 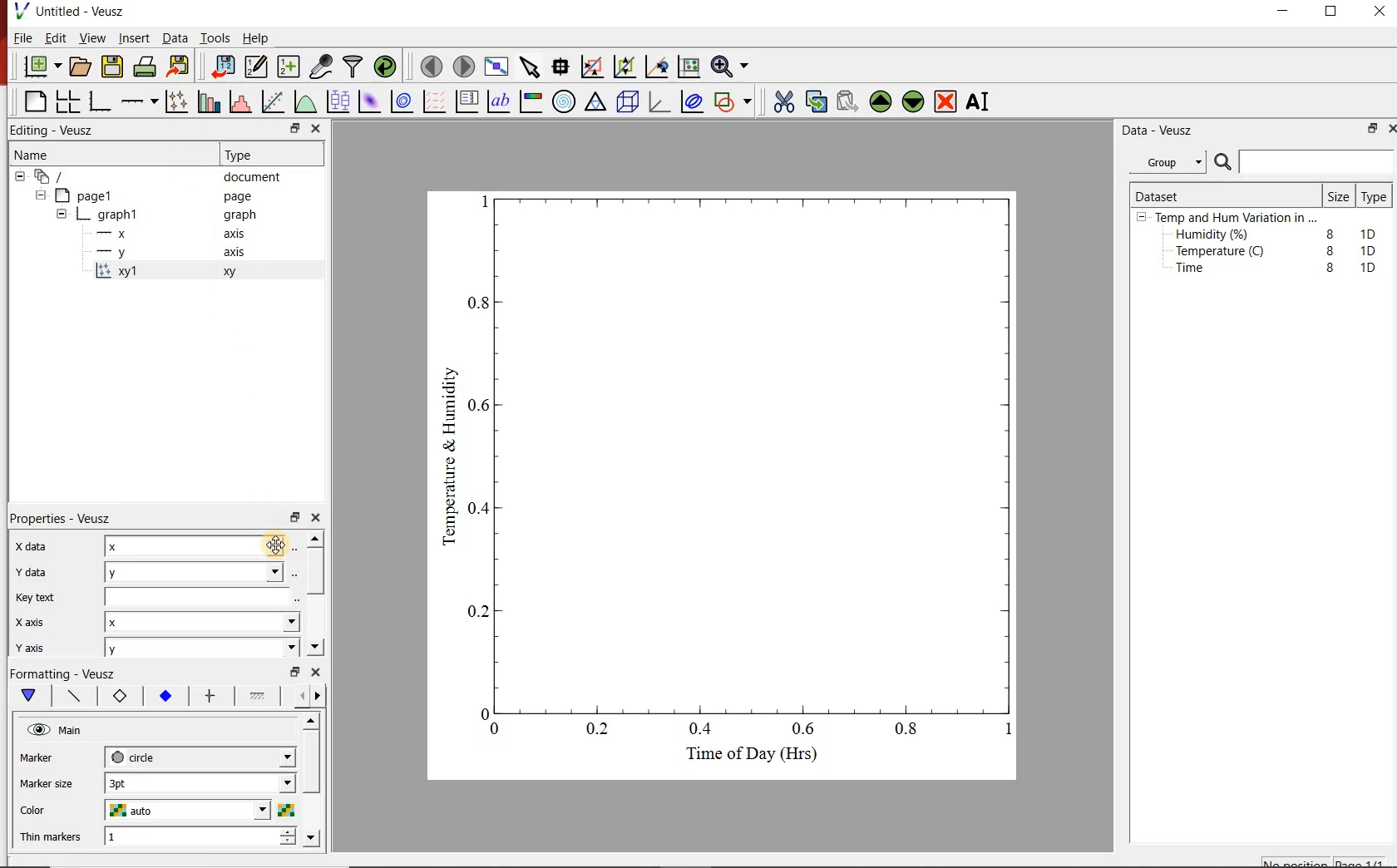 I want to click on close, so click(x=1380, y=12).